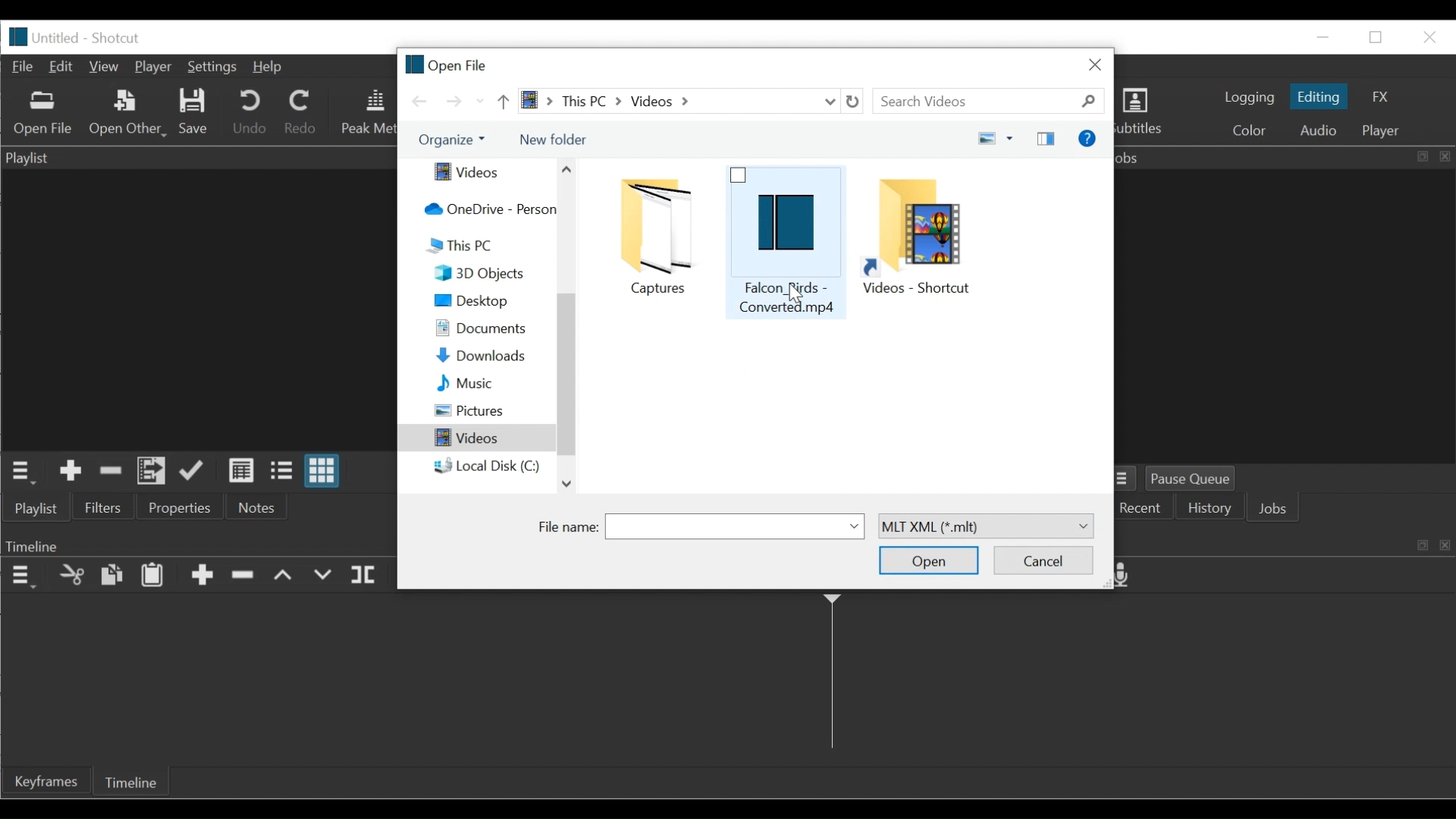  What do you see at coordinates (993, 102) in the screenshot?
I see `Search` at bounding box center [993, 102].